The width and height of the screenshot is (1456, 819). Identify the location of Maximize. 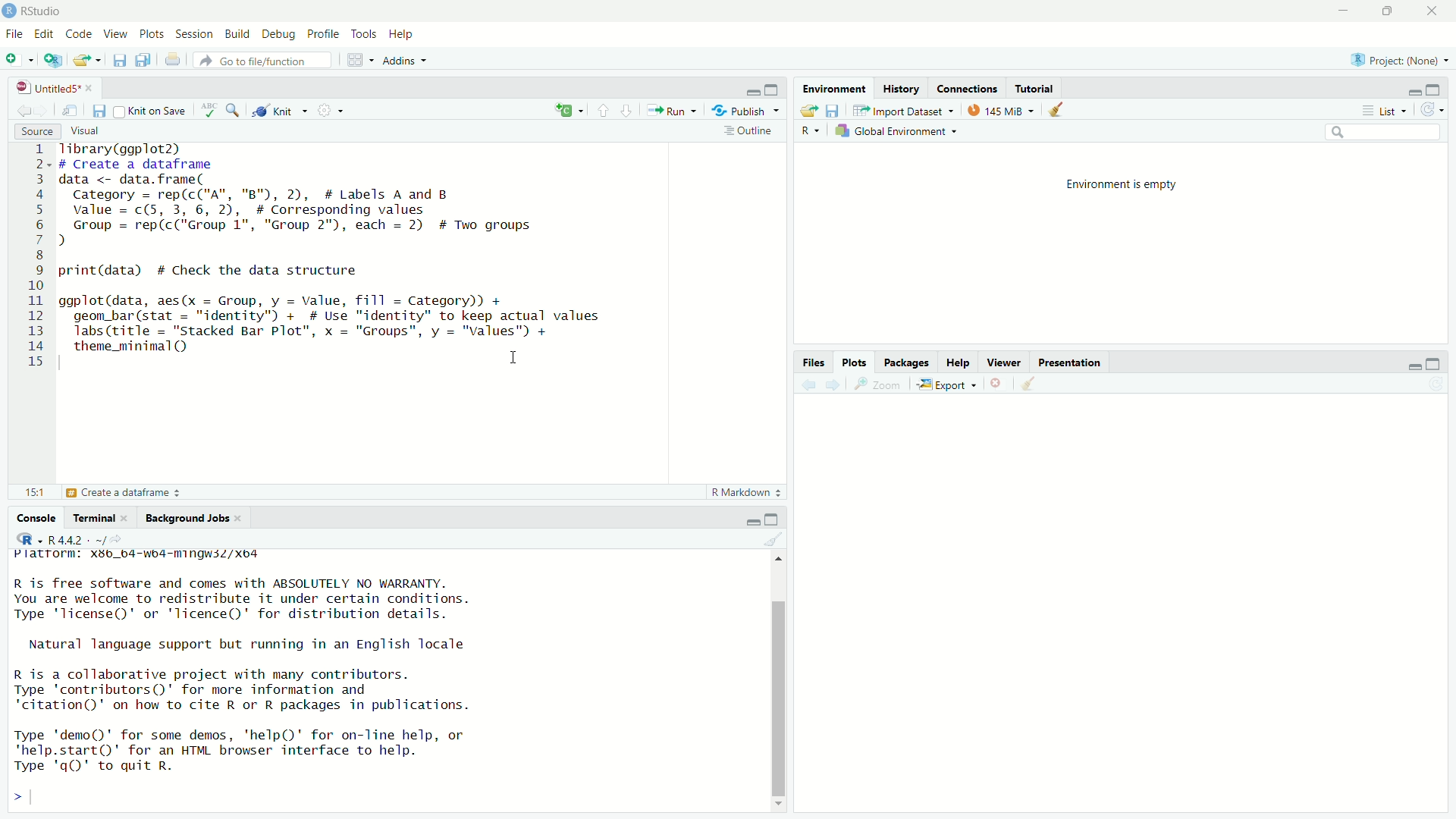
(1439, 363).